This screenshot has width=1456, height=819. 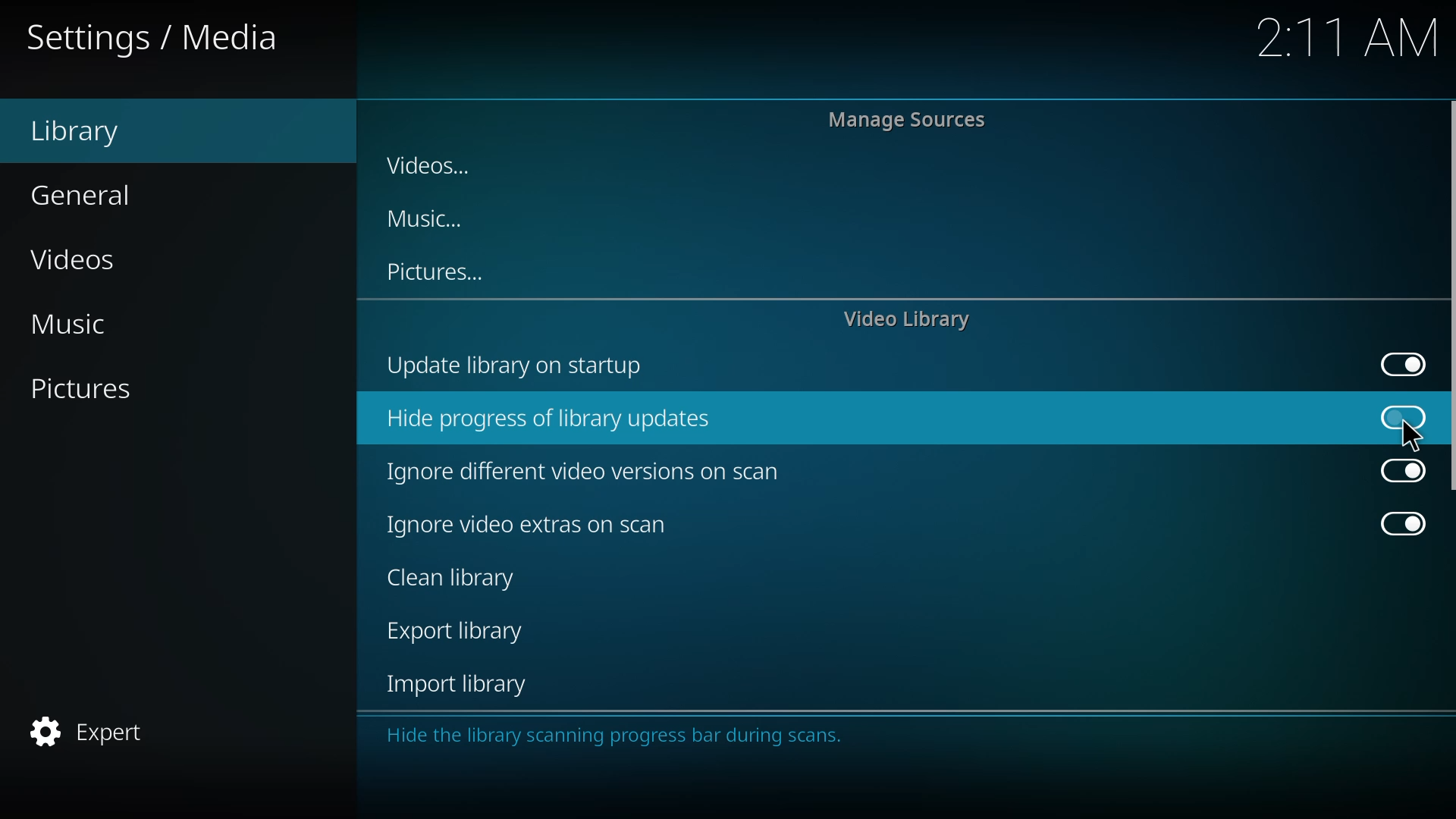 What do you see at coordinates (1411, 436) in the screenshot?
I see `cursor` at bounding box center [1411, 436].